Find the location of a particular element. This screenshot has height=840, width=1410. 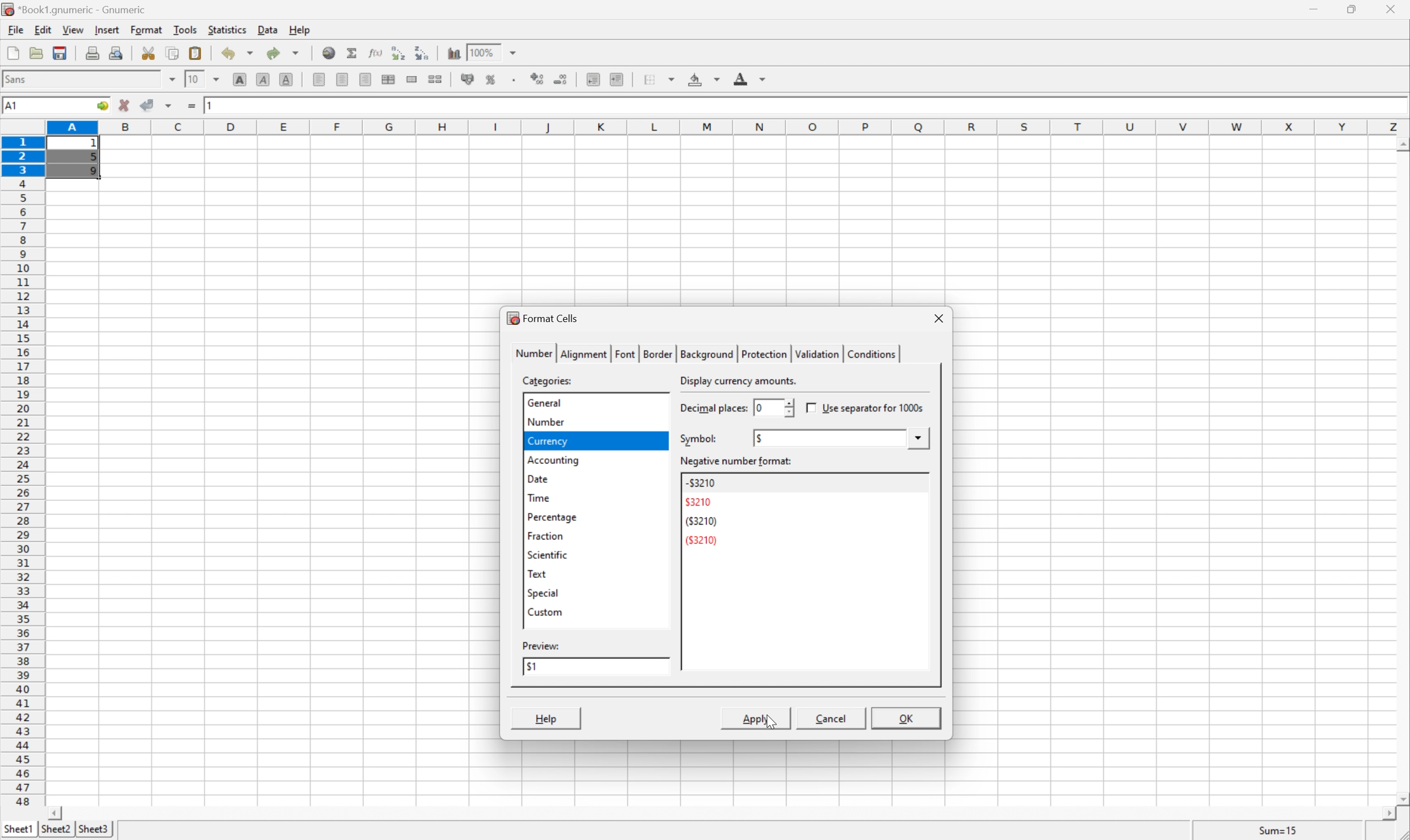

(3210) is located at coordinates (700, 521).